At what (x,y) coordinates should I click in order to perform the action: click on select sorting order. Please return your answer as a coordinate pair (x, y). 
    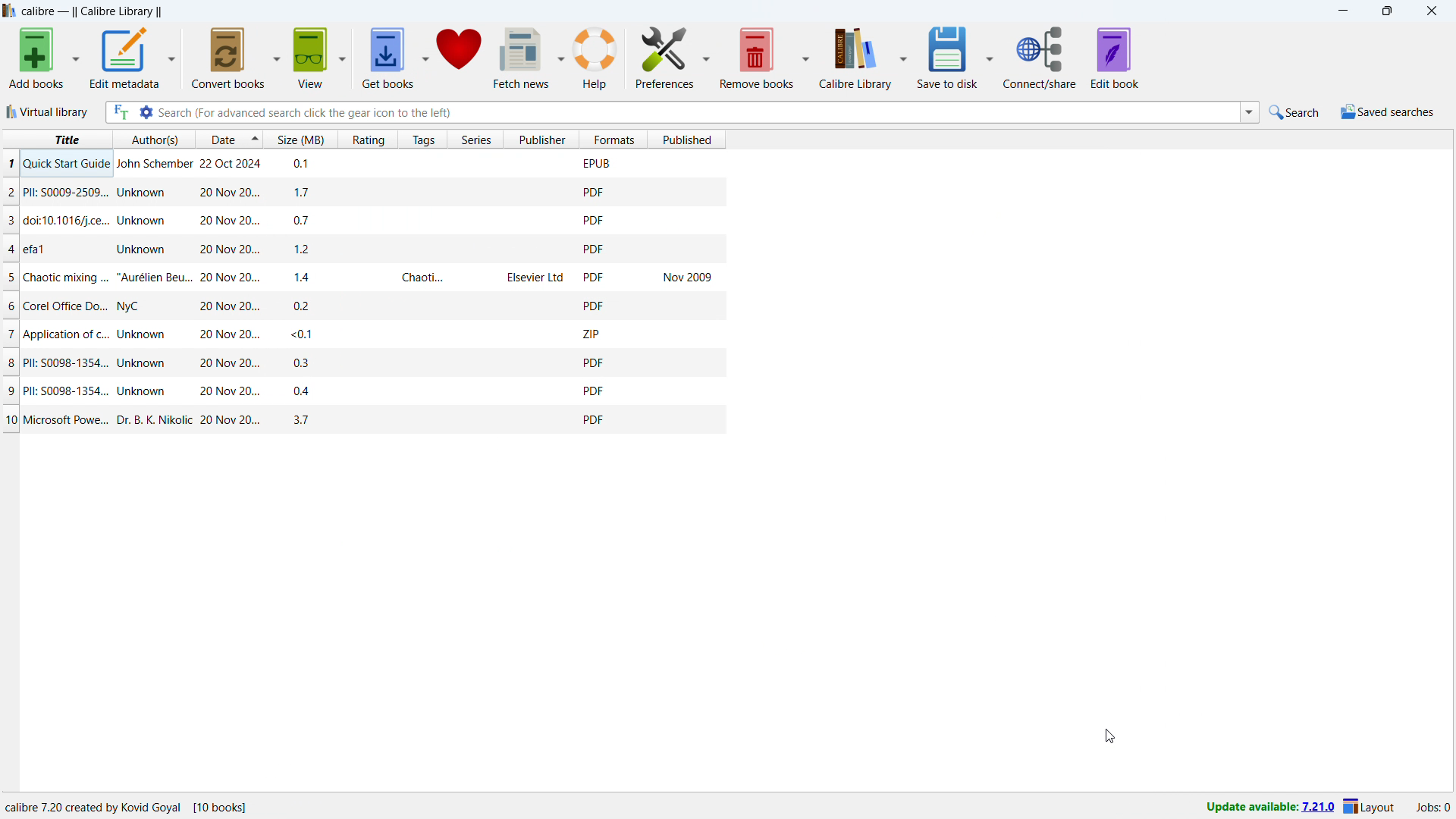
    Looking at the image, I should click on (256, 141).